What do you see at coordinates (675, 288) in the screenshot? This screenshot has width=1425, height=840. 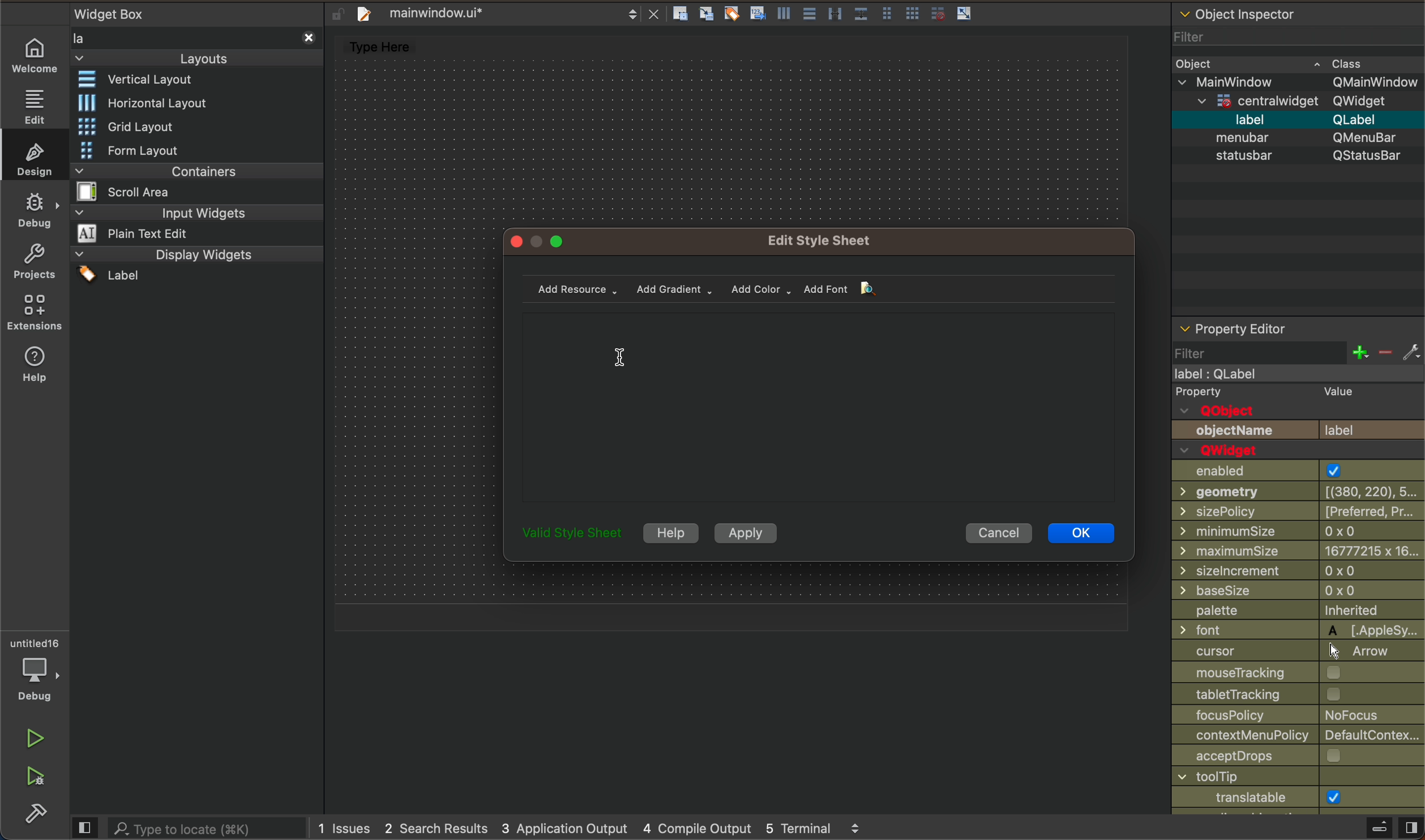 I see `add gradients` at bounding box center [675, 288].